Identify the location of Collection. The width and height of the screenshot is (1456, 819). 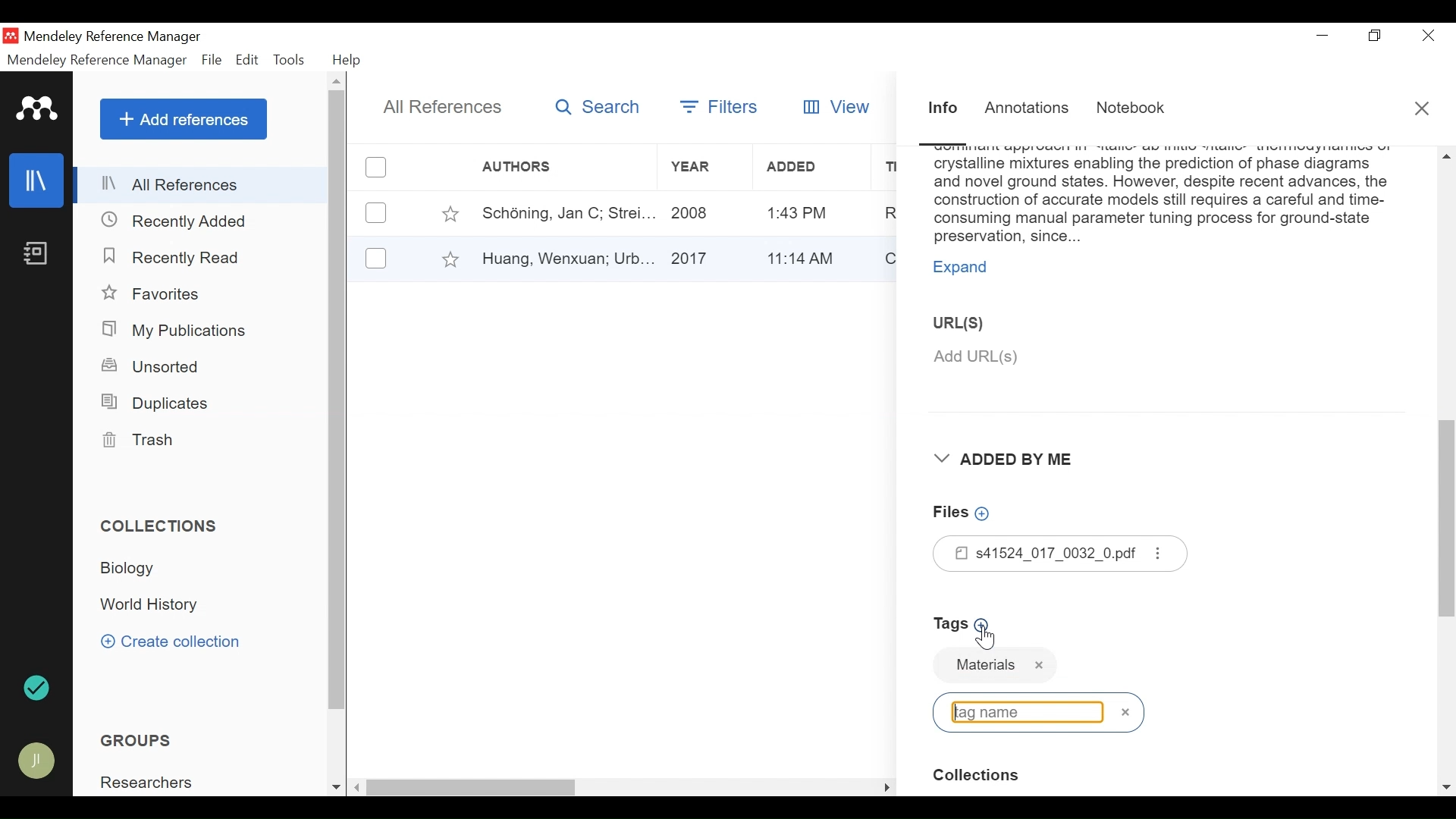
(152, 606).